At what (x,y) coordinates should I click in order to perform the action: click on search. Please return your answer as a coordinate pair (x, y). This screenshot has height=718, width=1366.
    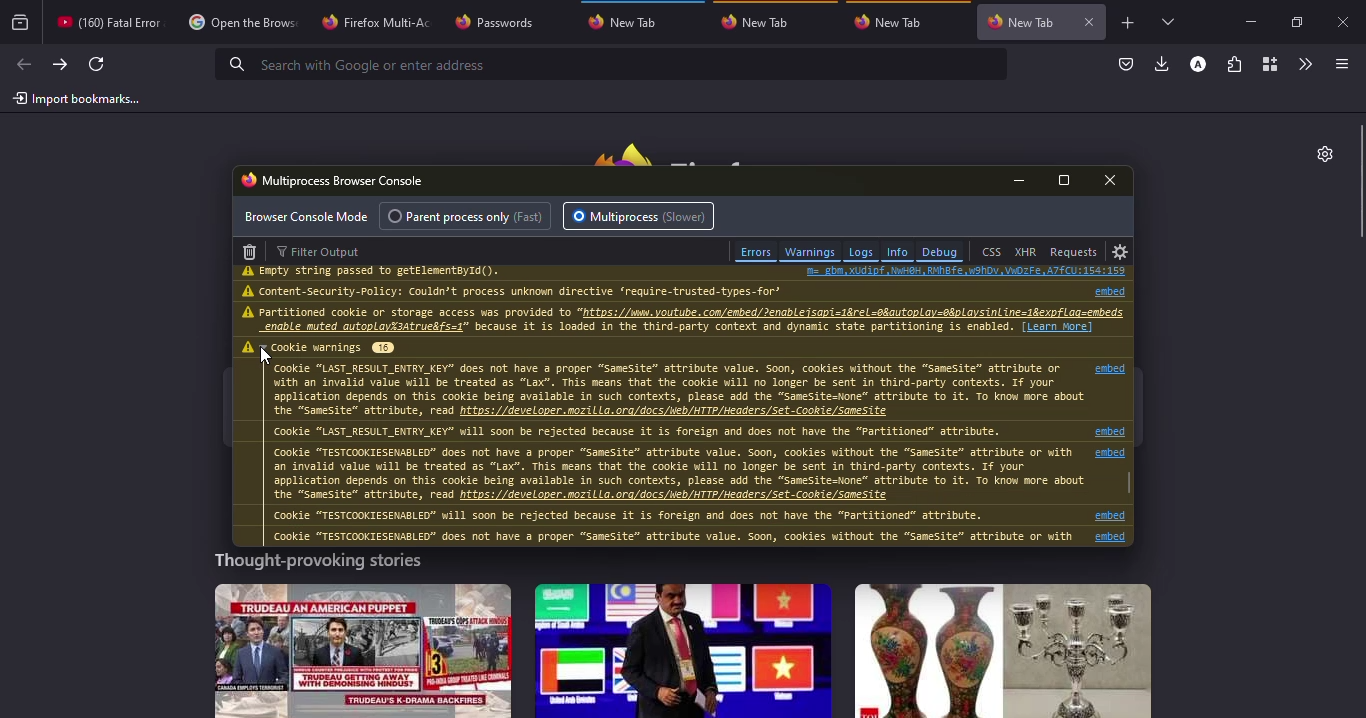
    Looking at the image, I should click on (357, 64).